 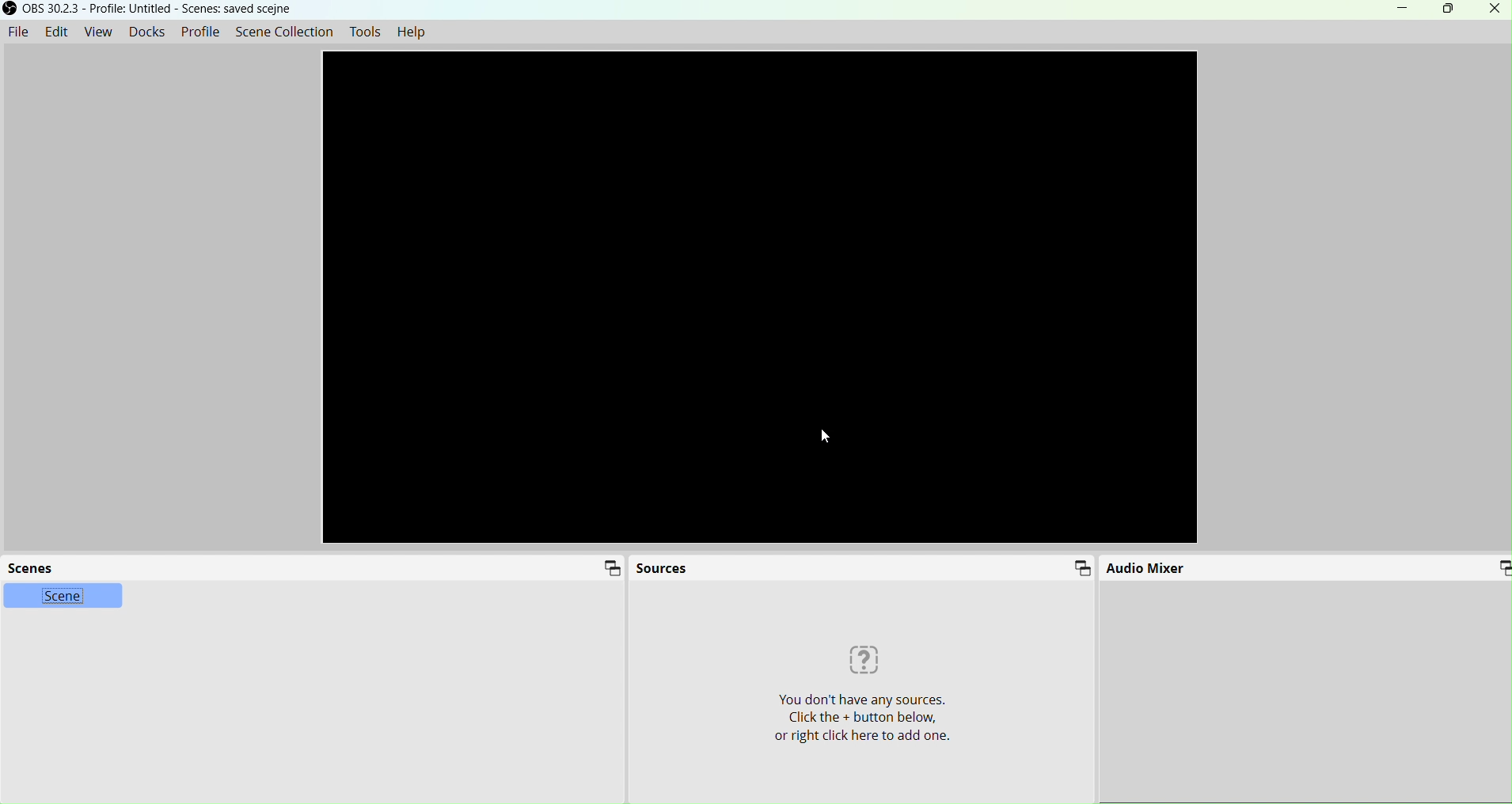 I want to click on Help, so click(x=412, y=32).